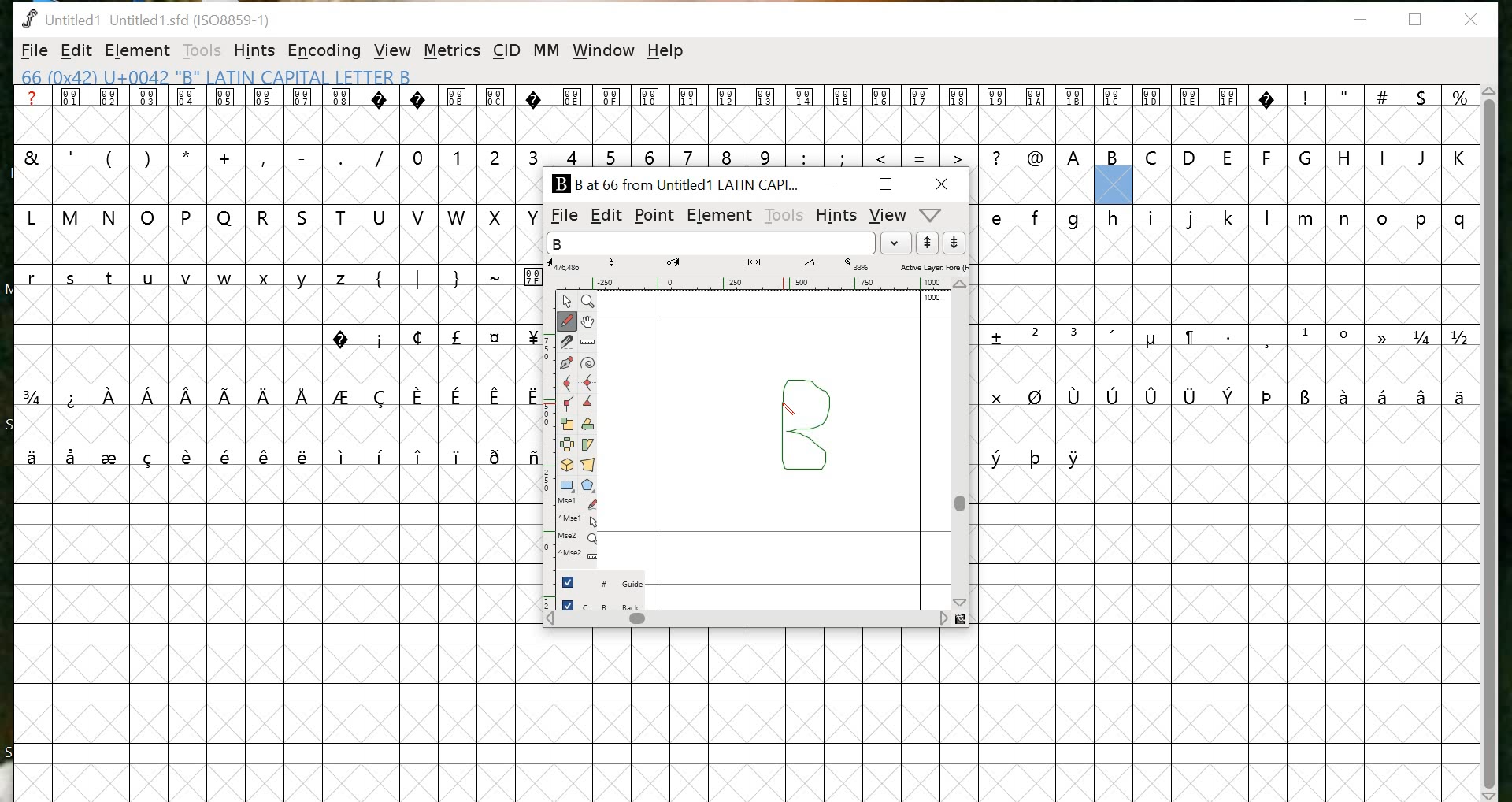 The width and height of the screenshot is (1512, 802). What do you see at coordinates (603, 603) in the screenshot?
I see `back layer` at bounding box center [603, 603].